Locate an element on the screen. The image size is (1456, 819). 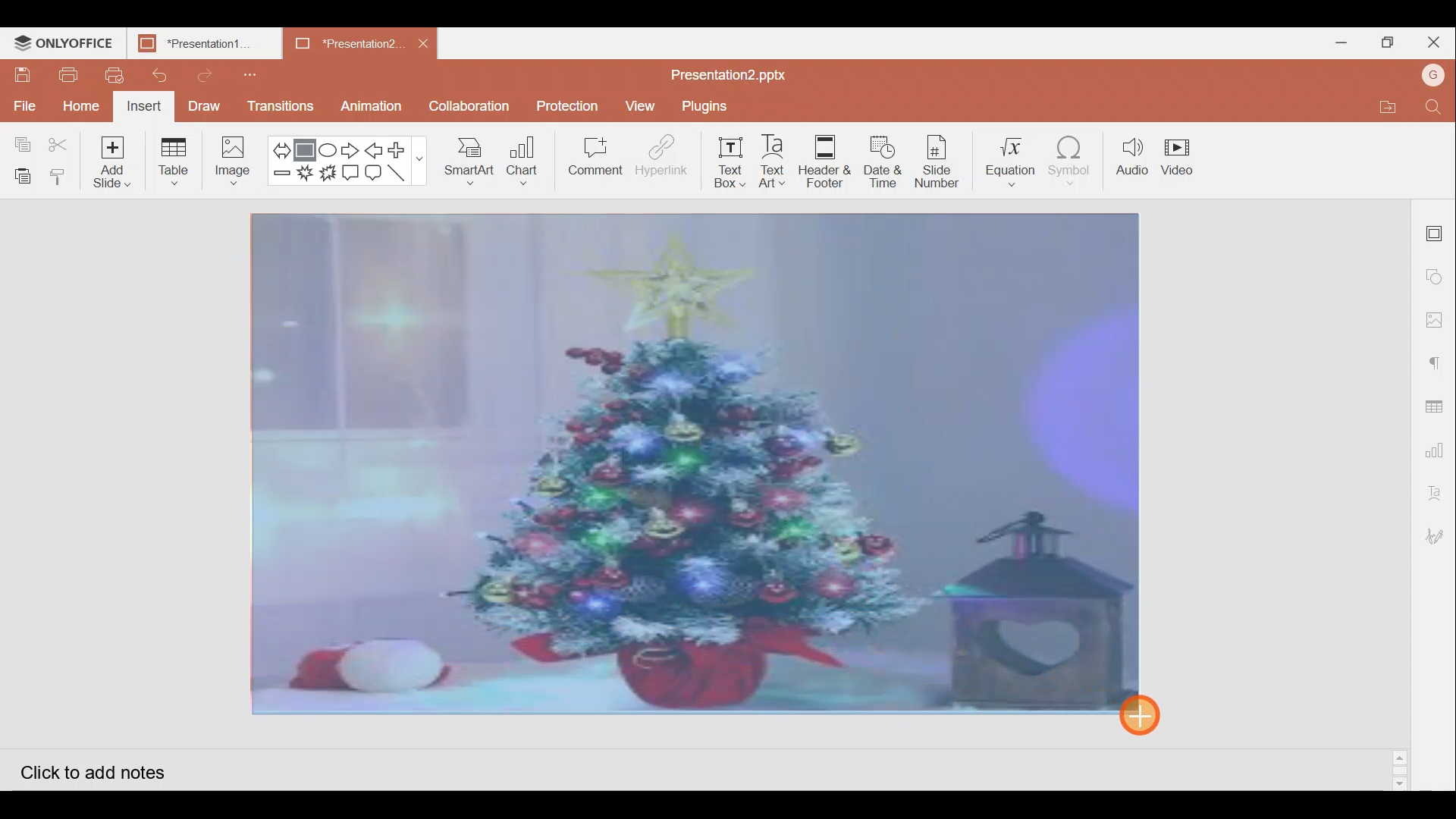
Rectangle shape on background image is located at coordinates (701, 466).